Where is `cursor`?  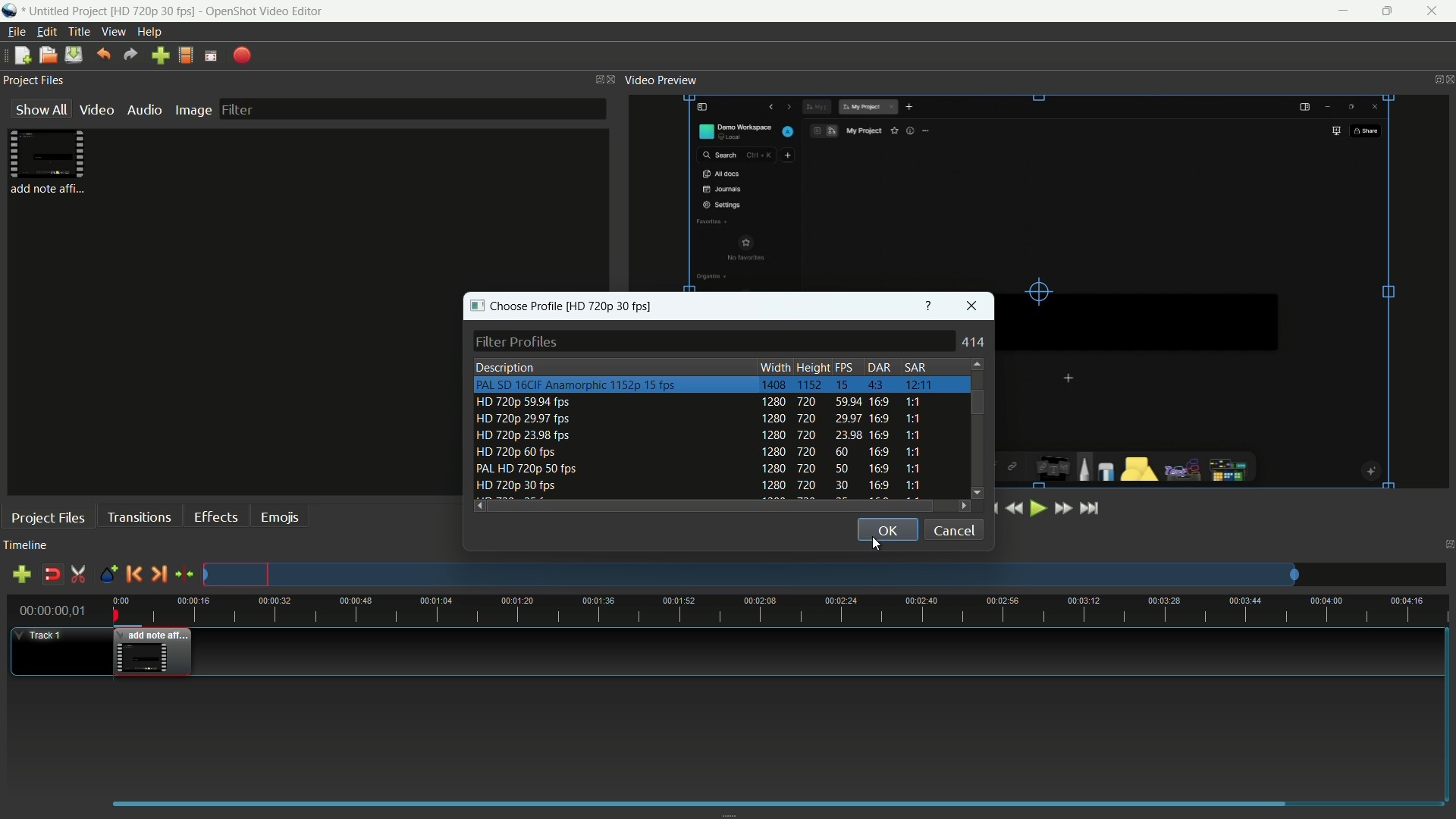 cursor is located at coordinates (875, 547).